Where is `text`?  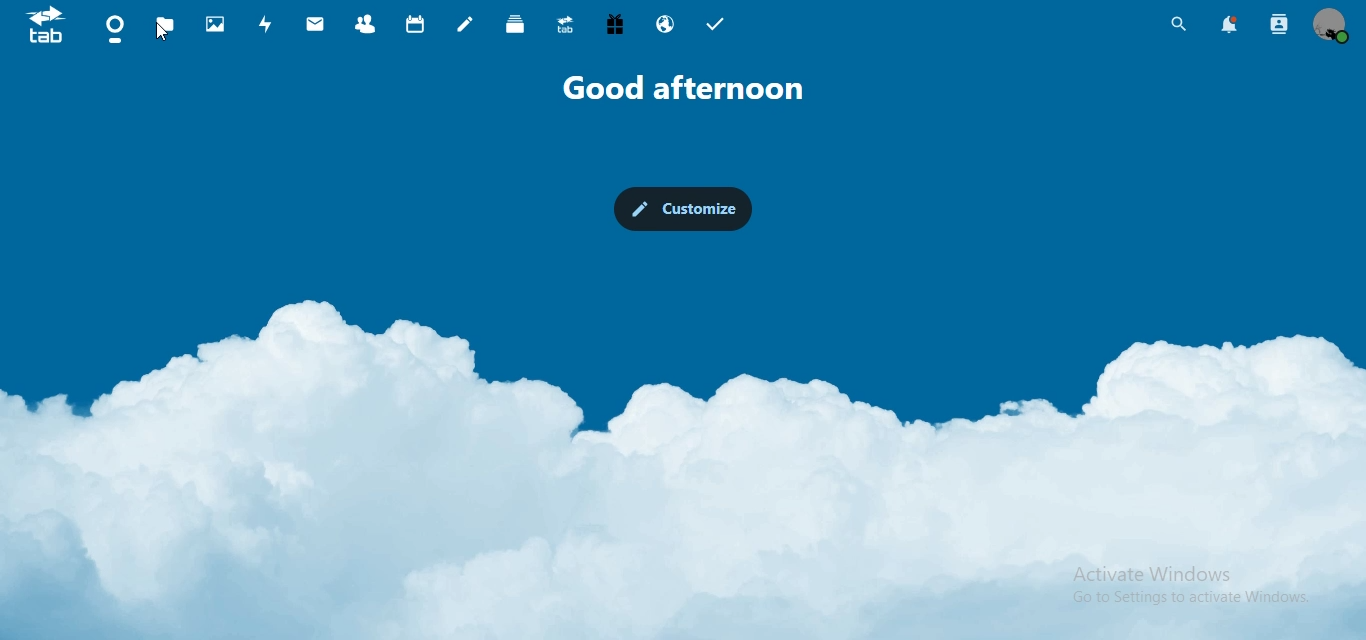 text is located at coordinates (683, 88).